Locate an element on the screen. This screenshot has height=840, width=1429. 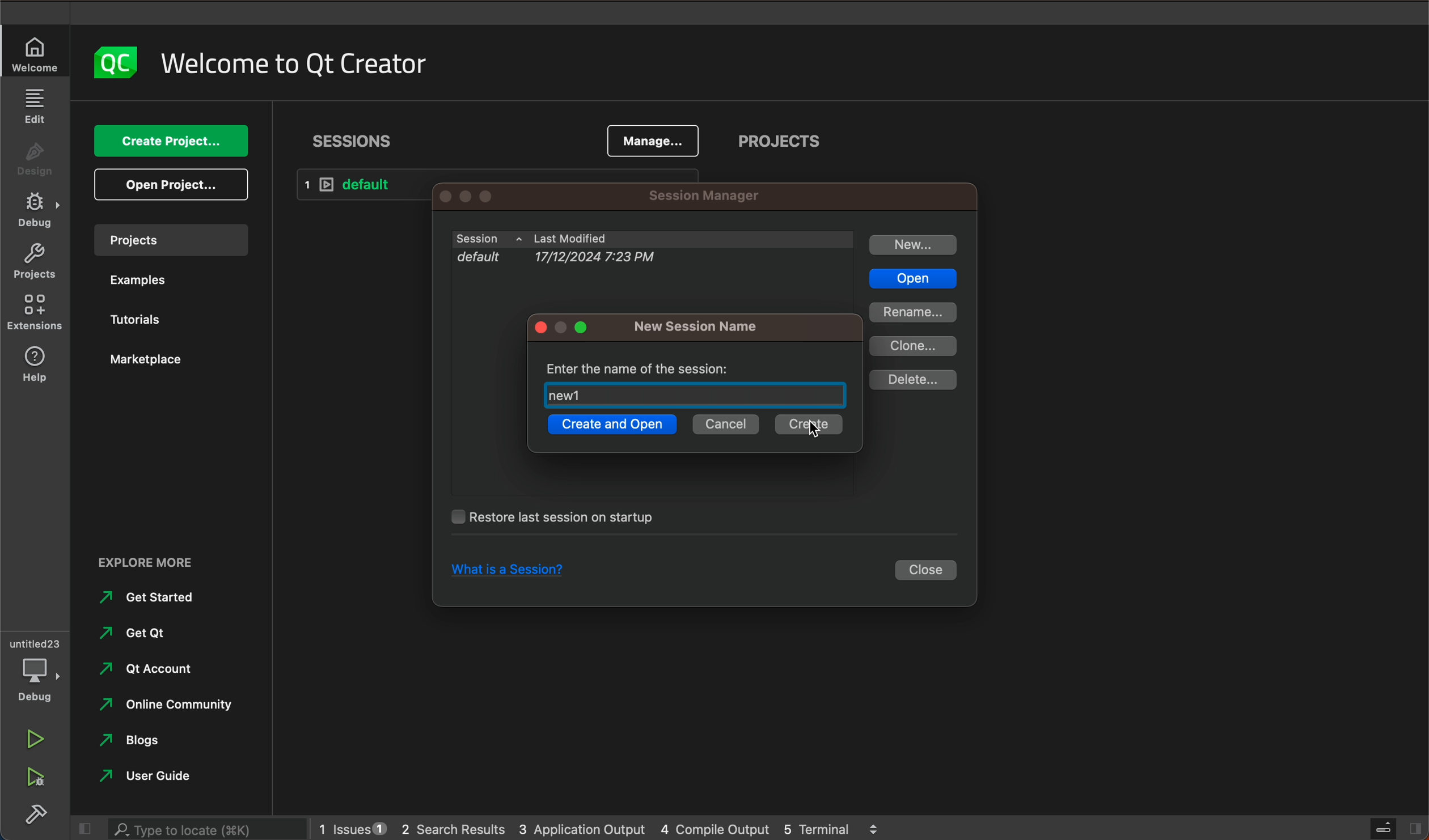
create project is located at coordinates (174, 142).